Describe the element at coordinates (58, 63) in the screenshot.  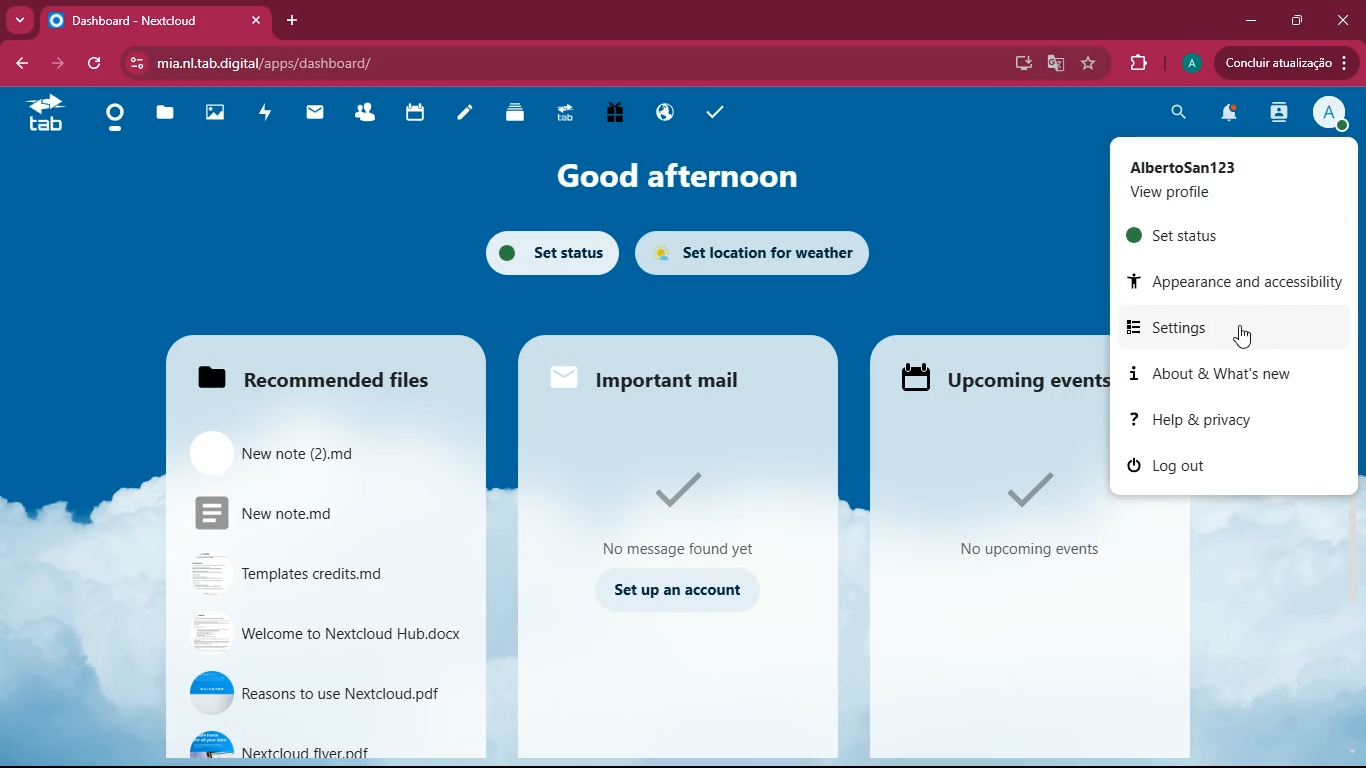
I see `forward` at that location.